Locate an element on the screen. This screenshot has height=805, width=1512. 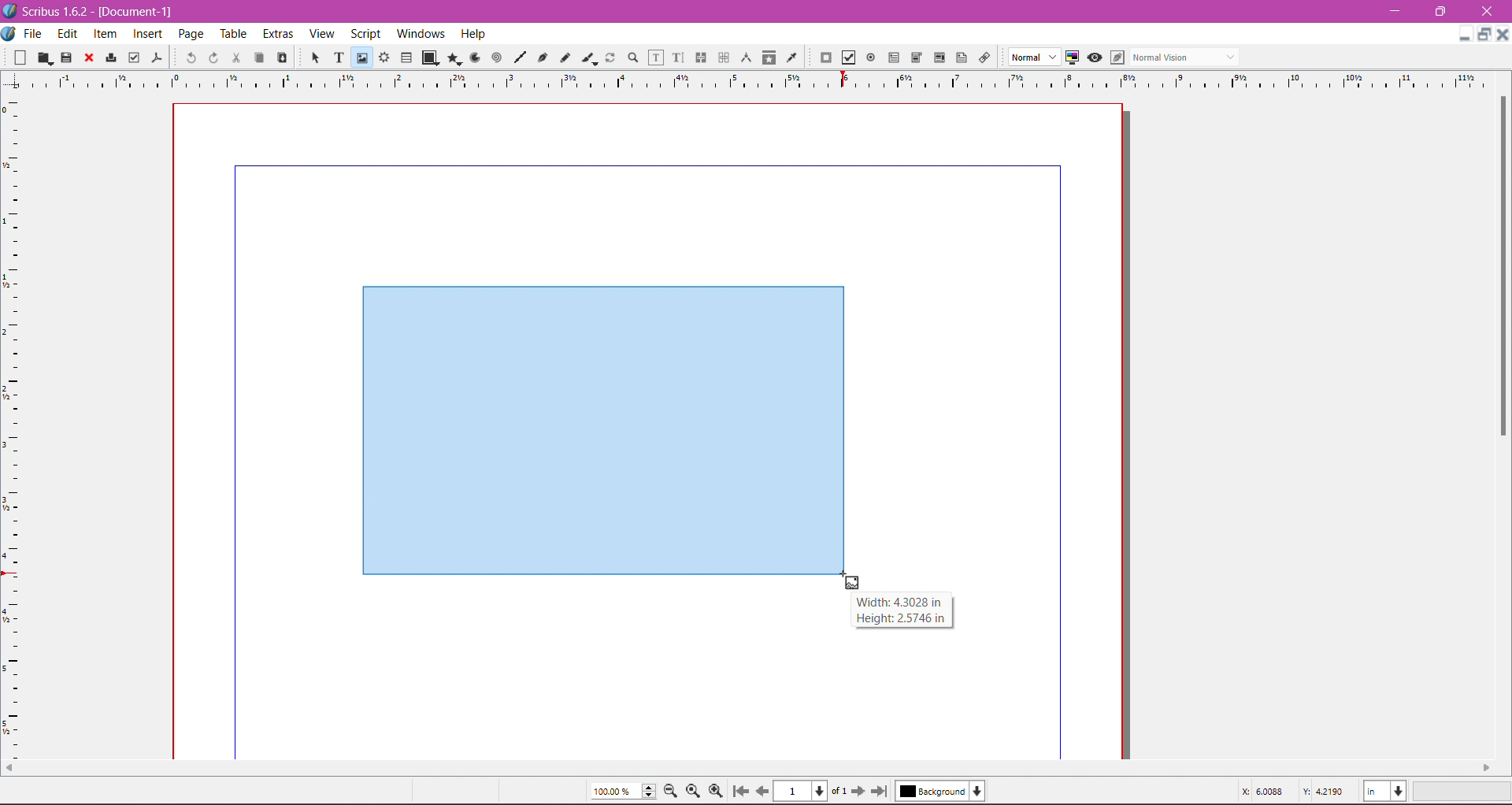
Edit is located at coordinates (67, 35).